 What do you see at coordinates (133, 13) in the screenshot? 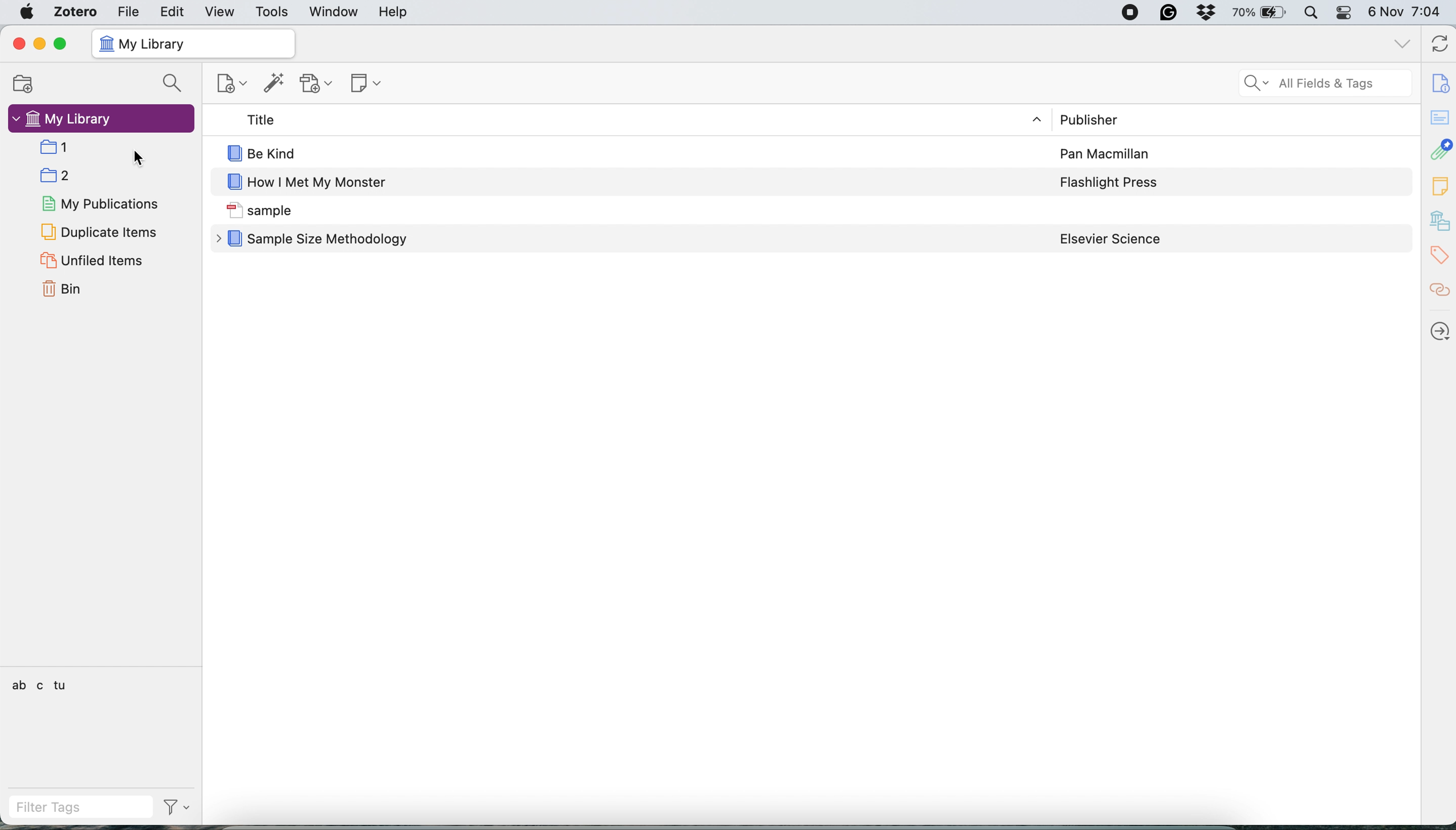
I see `file` at bounding box center [133, 13].